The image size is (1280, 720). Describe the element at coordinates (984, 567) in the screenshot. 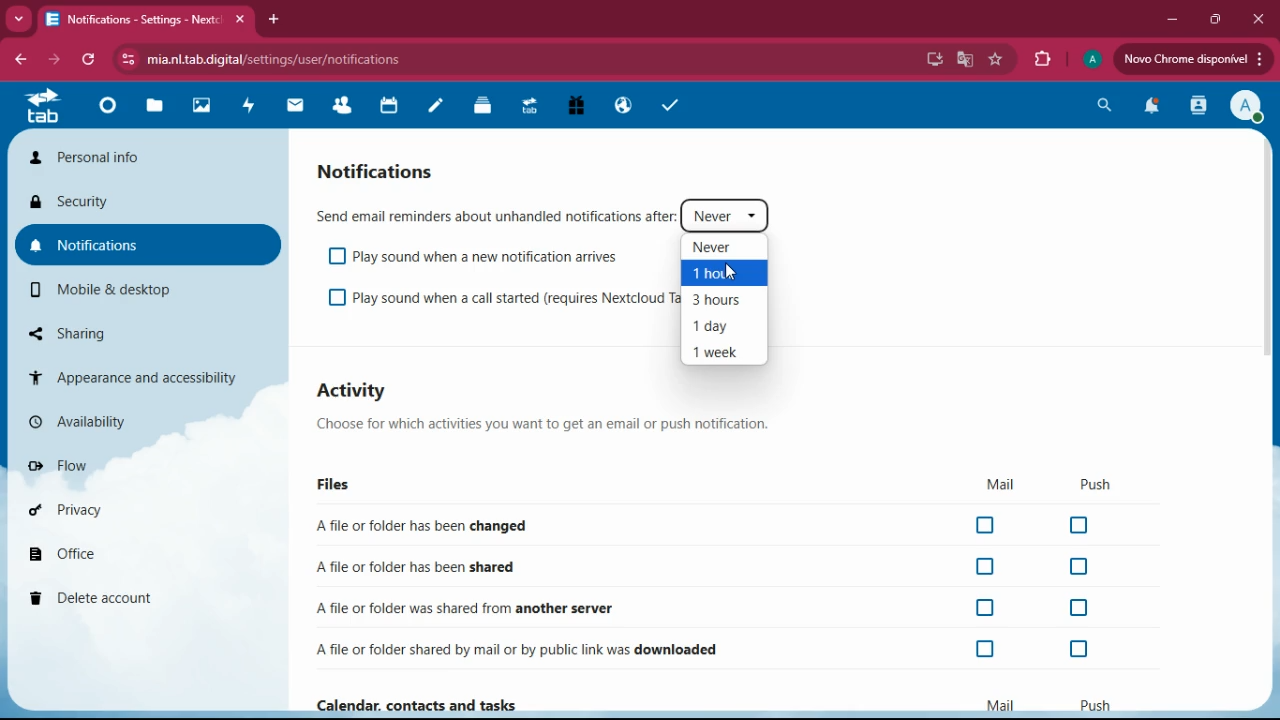

I see `off` at that location.